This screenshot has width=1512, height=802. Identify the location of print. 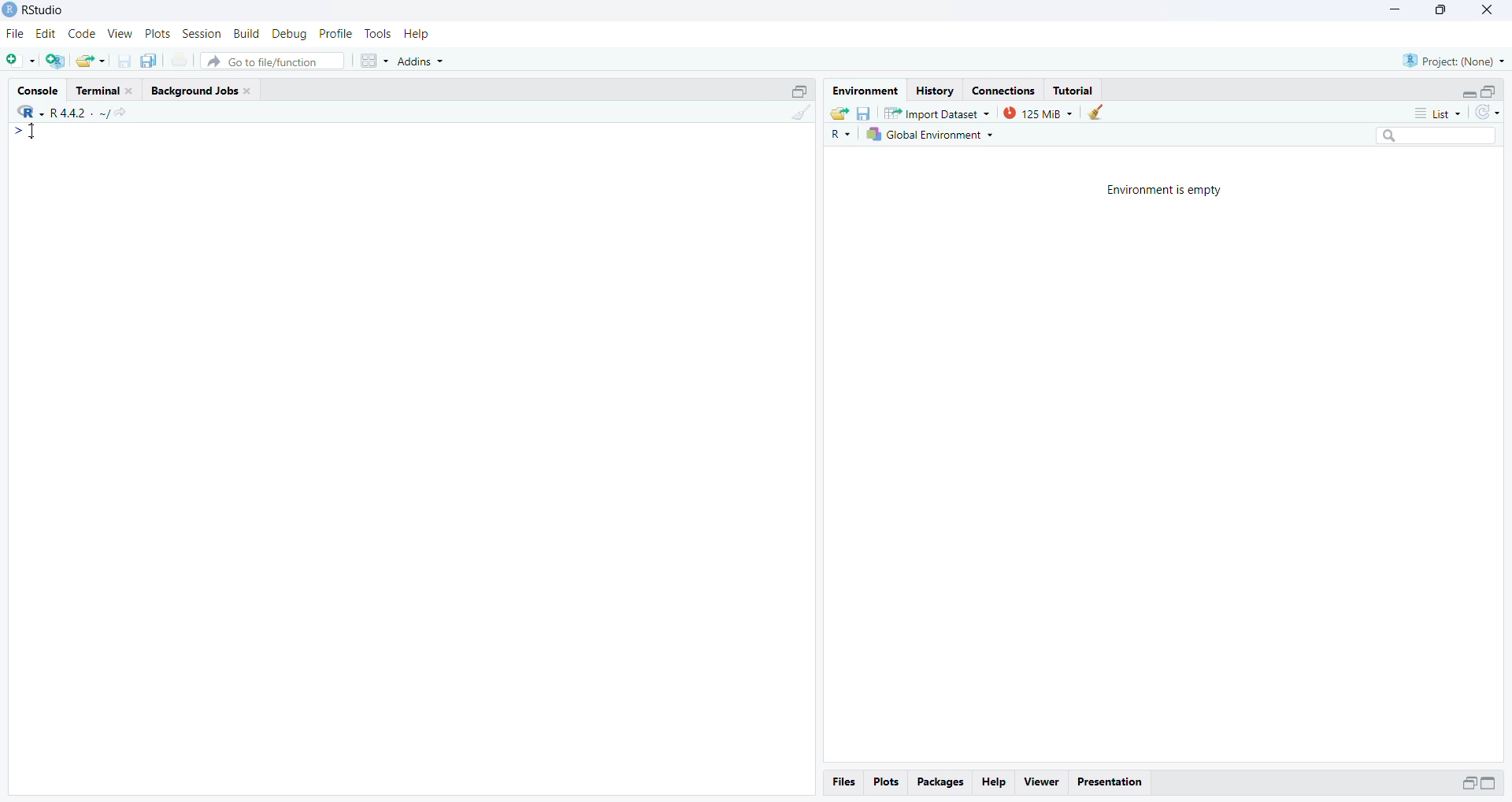
(180, 60).